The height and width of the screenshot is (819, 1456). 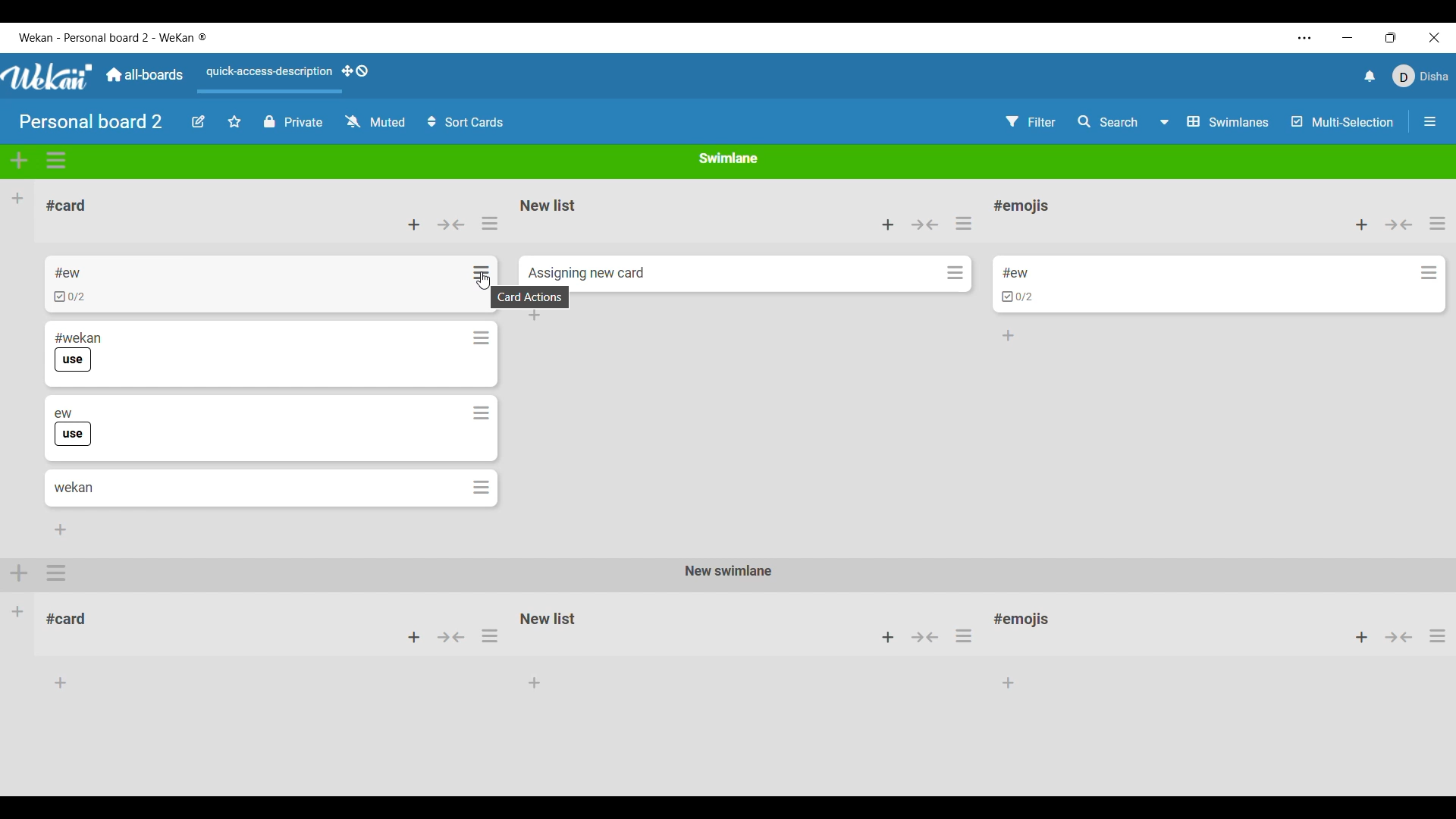 What do you see at coordinates (74, 617) in the screenshot?
I see `#card` at bounding box center [74, 617].